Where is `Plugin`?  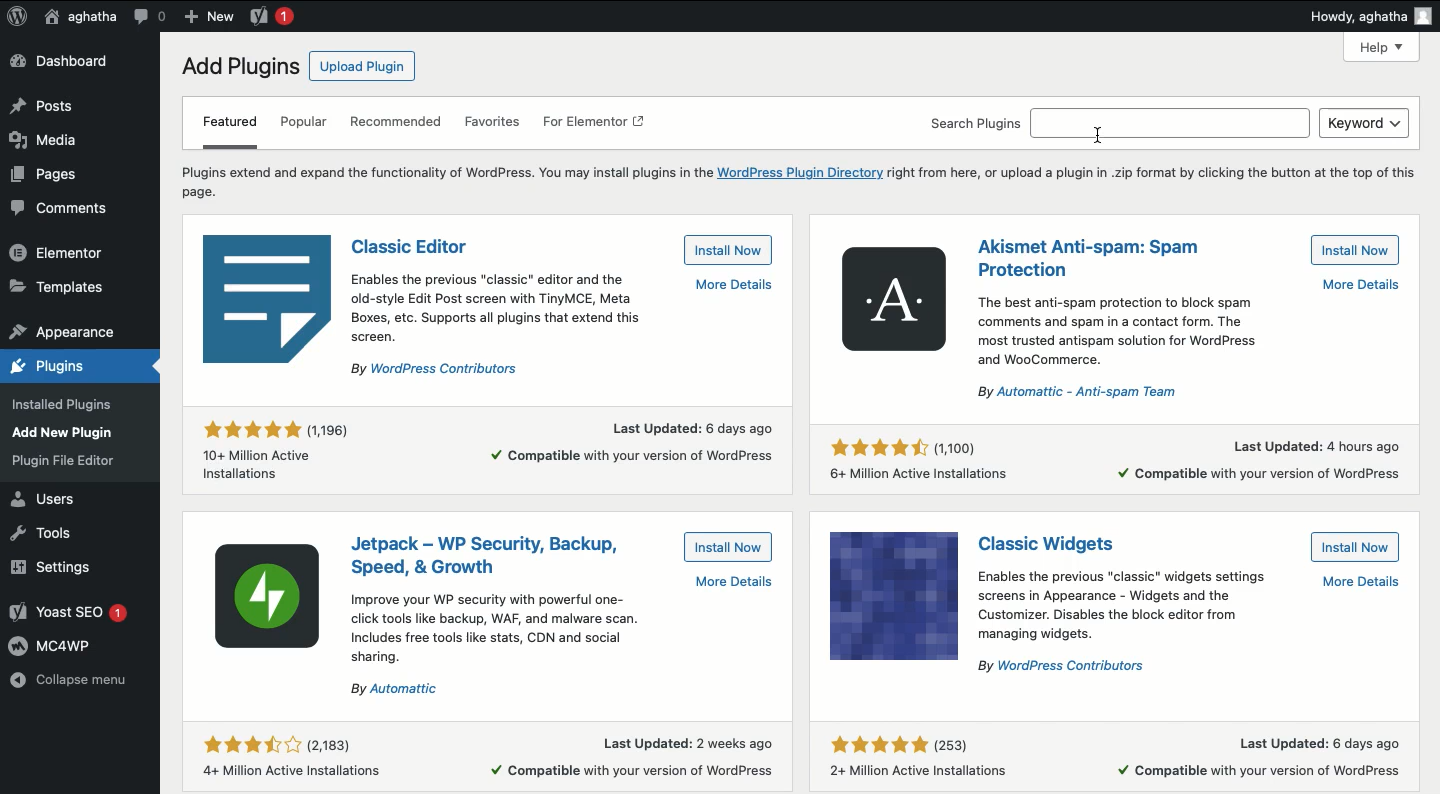 Plugin is located at coordinates (1088, 256).